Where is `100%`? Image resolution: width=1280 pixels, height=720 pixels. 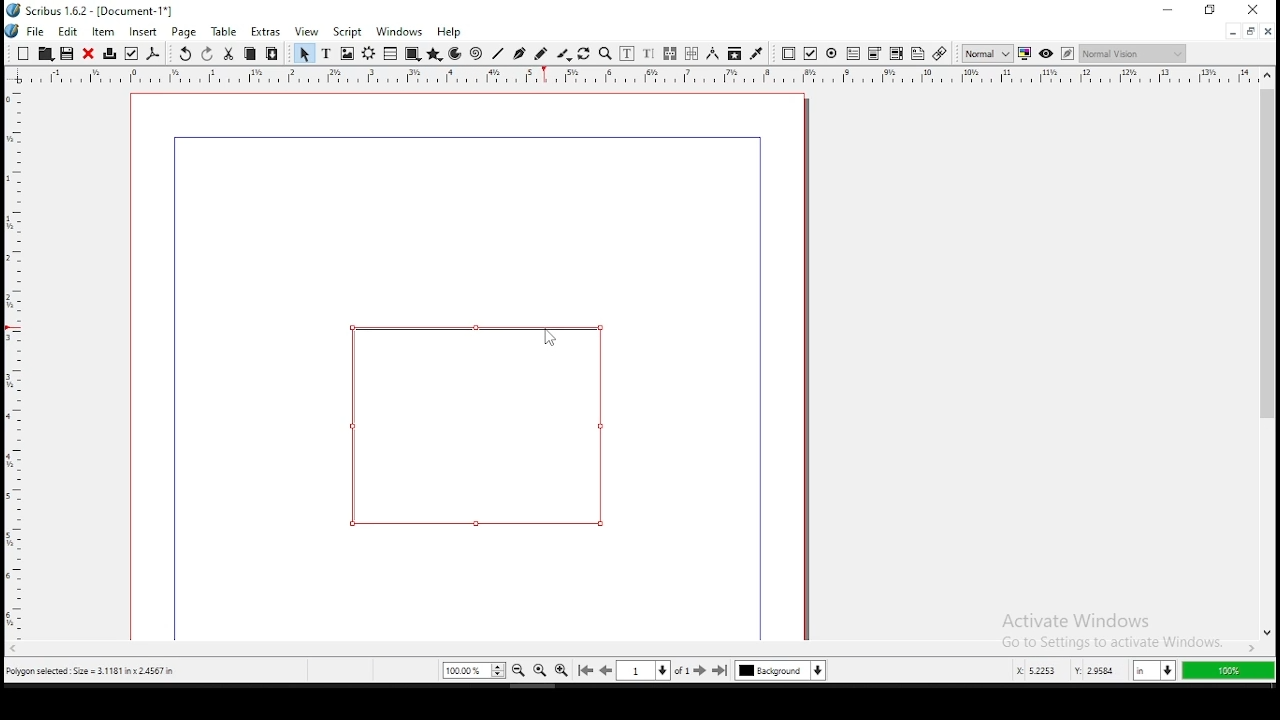 100% is located at coordinates (1228, 671).